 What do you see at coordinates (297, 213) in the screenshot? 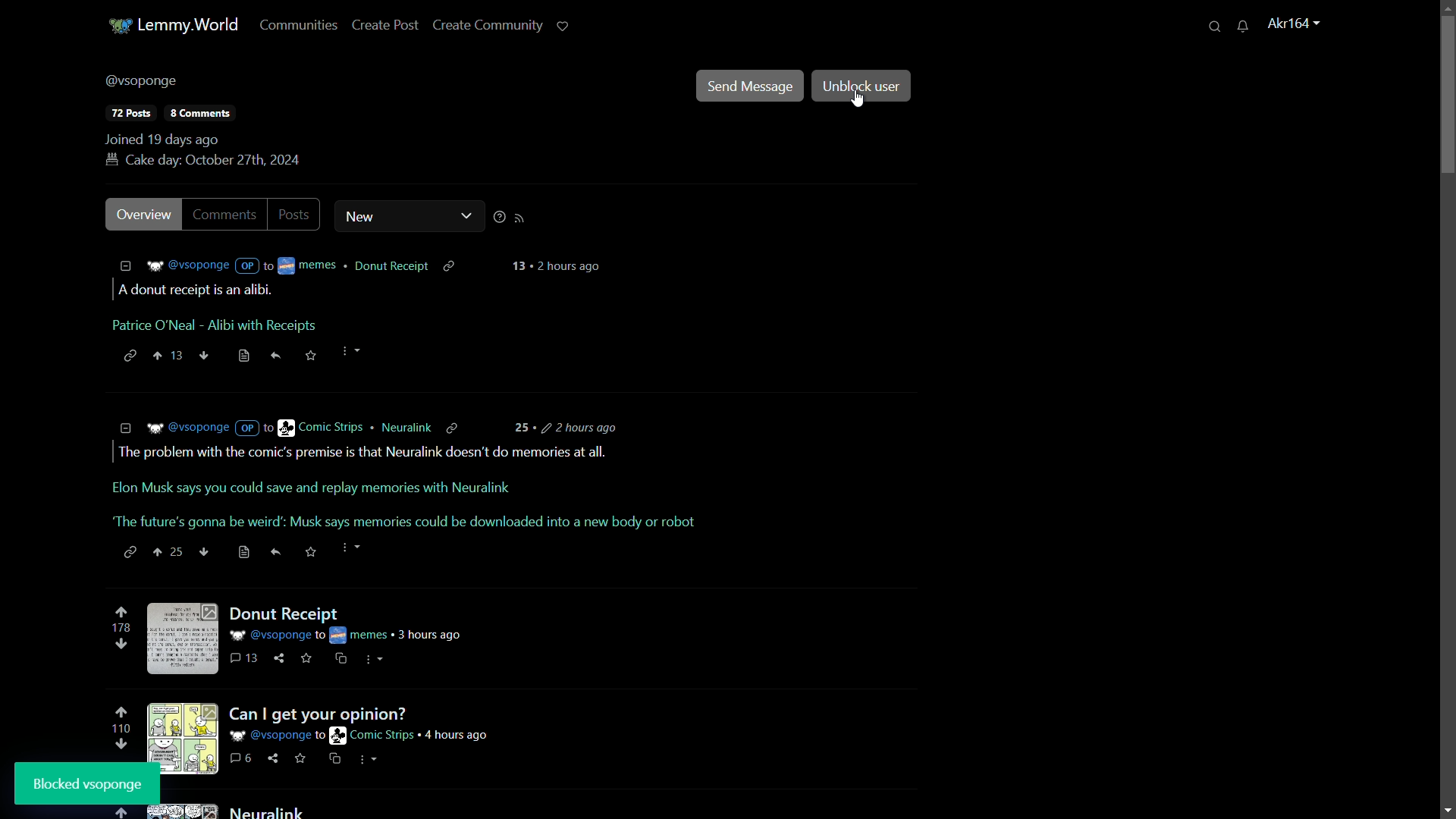
I see `posts` at bounding box center [297, 213].